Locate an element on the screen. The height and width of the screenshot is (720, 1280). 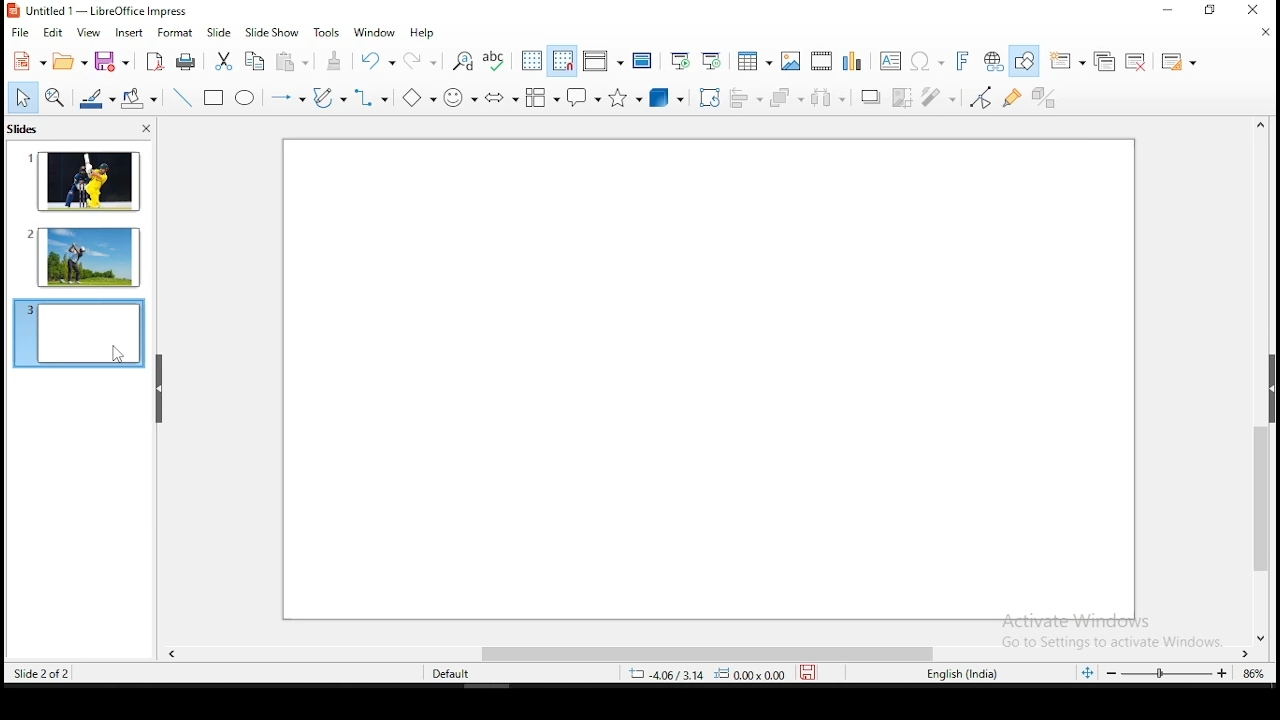
english (india) is located at coordinates (957, 673).